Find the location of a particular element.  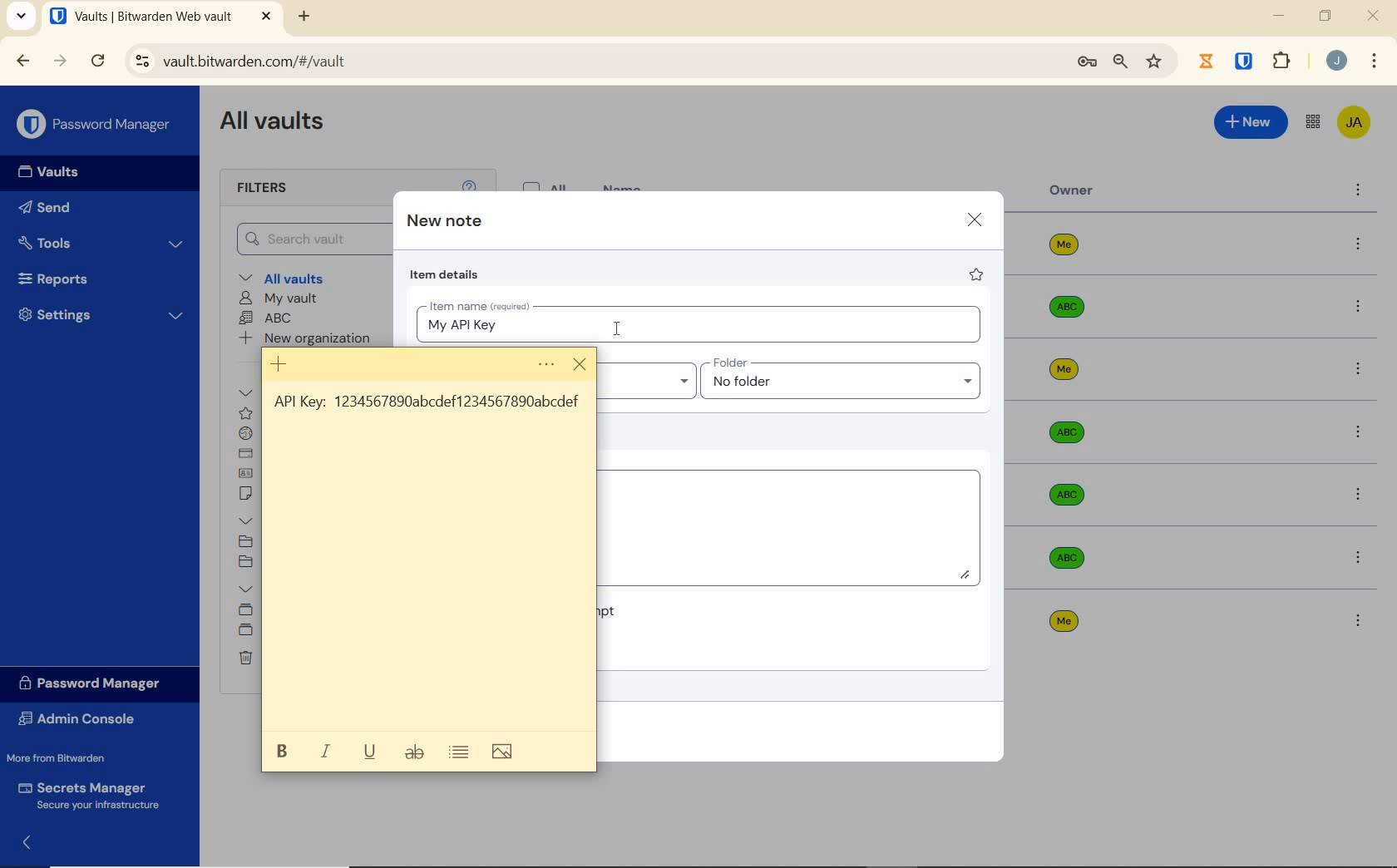

card is located at coordinates (246, 455).